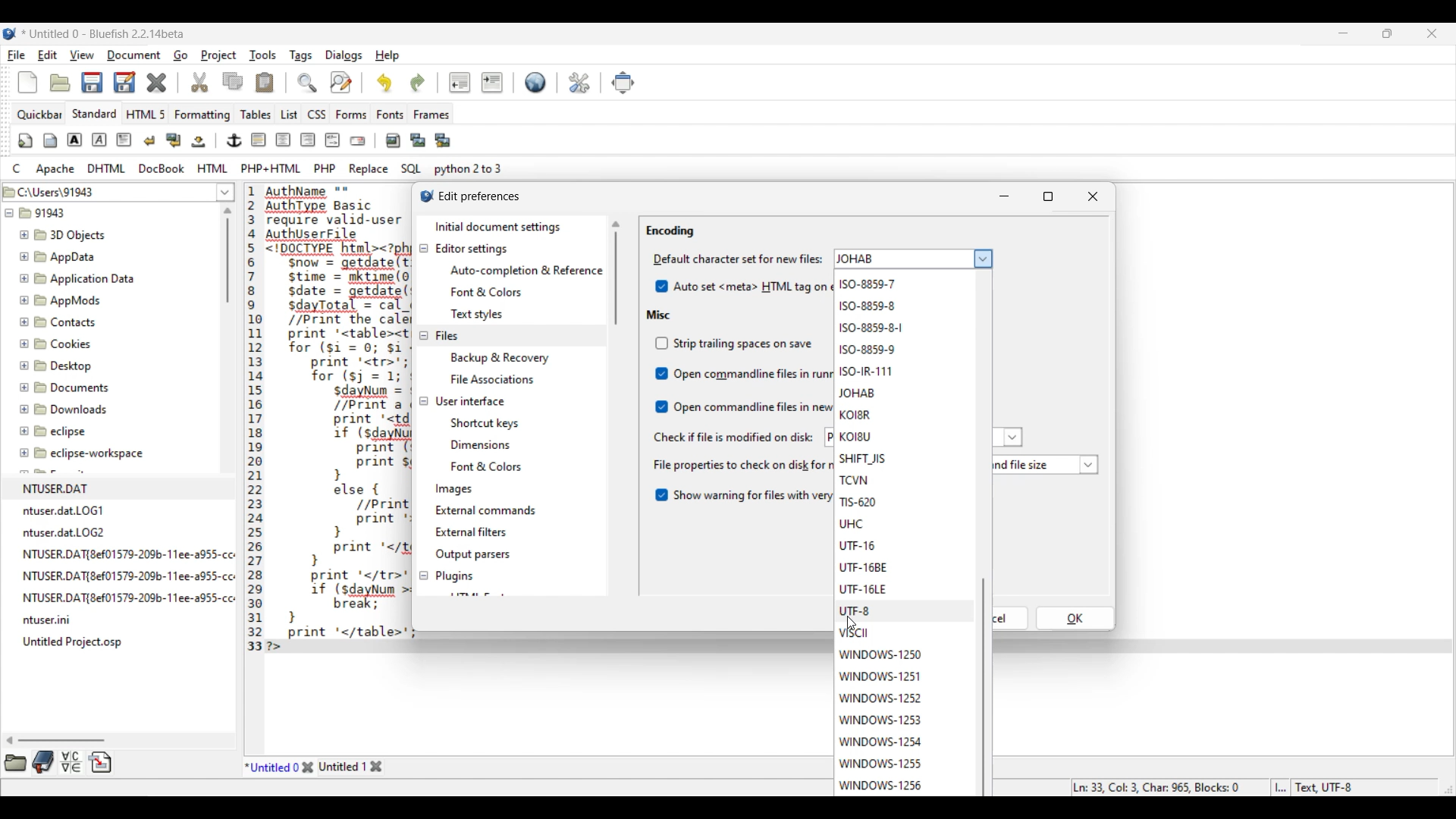 The height and width of the screenshot is (819, 1456). I want to click on Other tab, so click(350, 766).